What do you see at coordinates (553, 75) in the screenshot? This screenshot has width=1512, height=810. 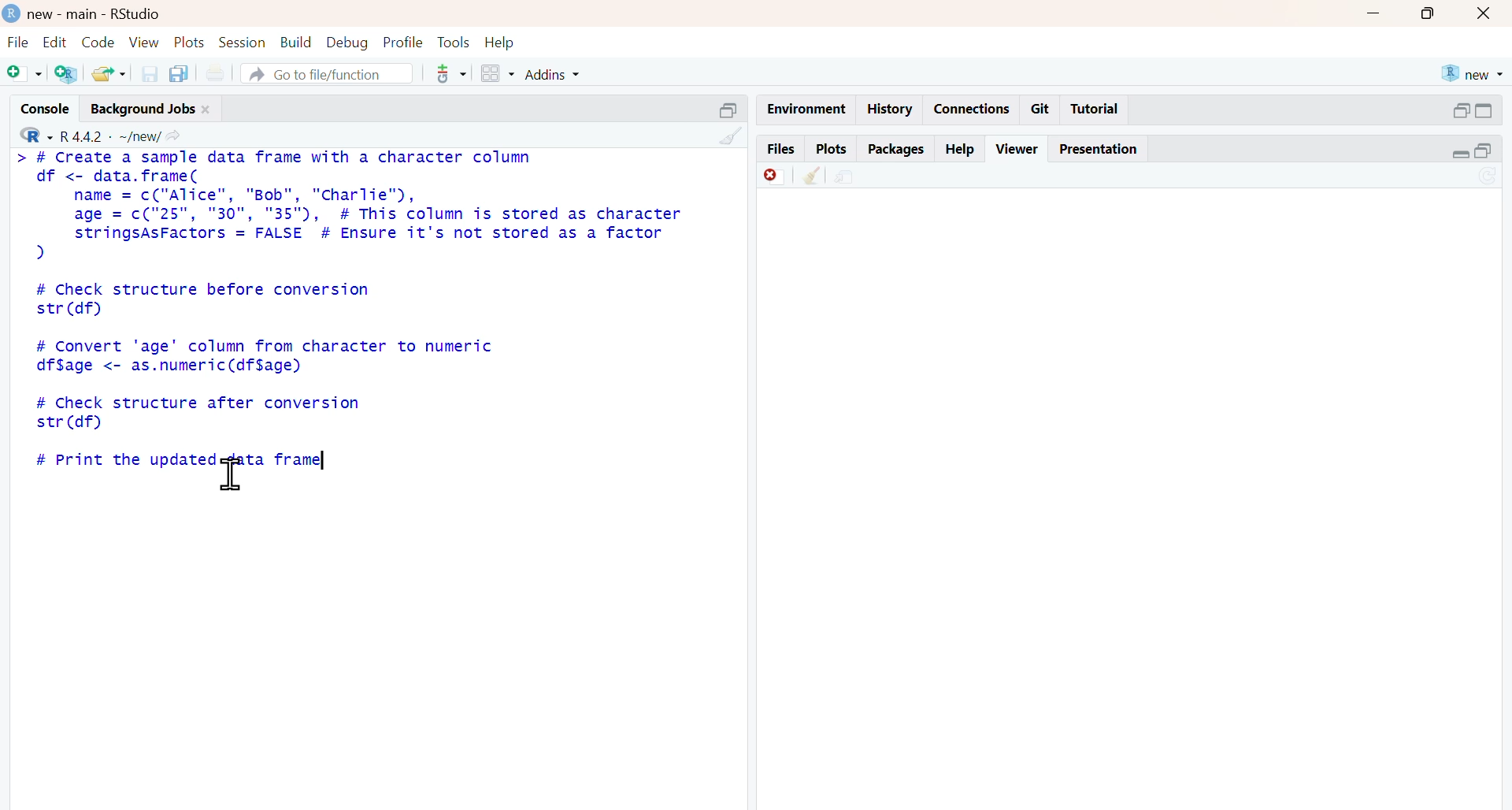 I see `addins` at bounding box center [553, 75].